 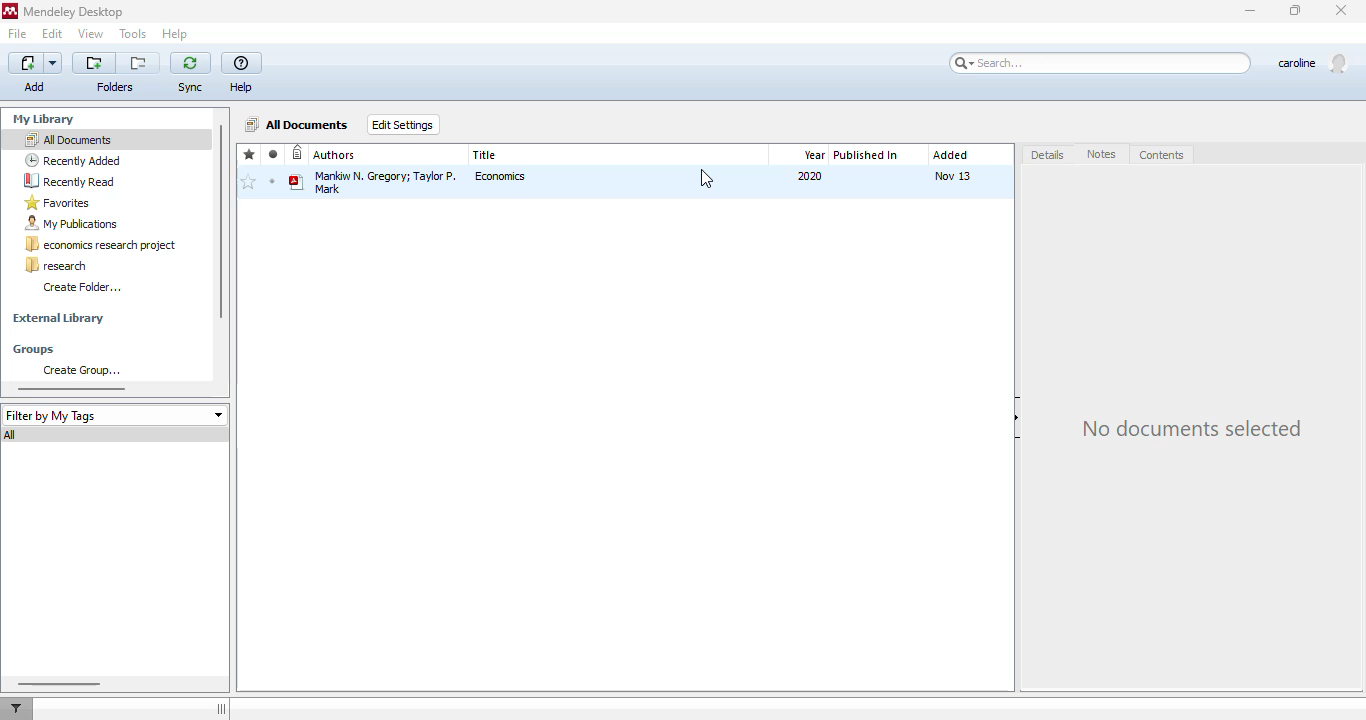 I want to click on view, so click(x=91, y=33).